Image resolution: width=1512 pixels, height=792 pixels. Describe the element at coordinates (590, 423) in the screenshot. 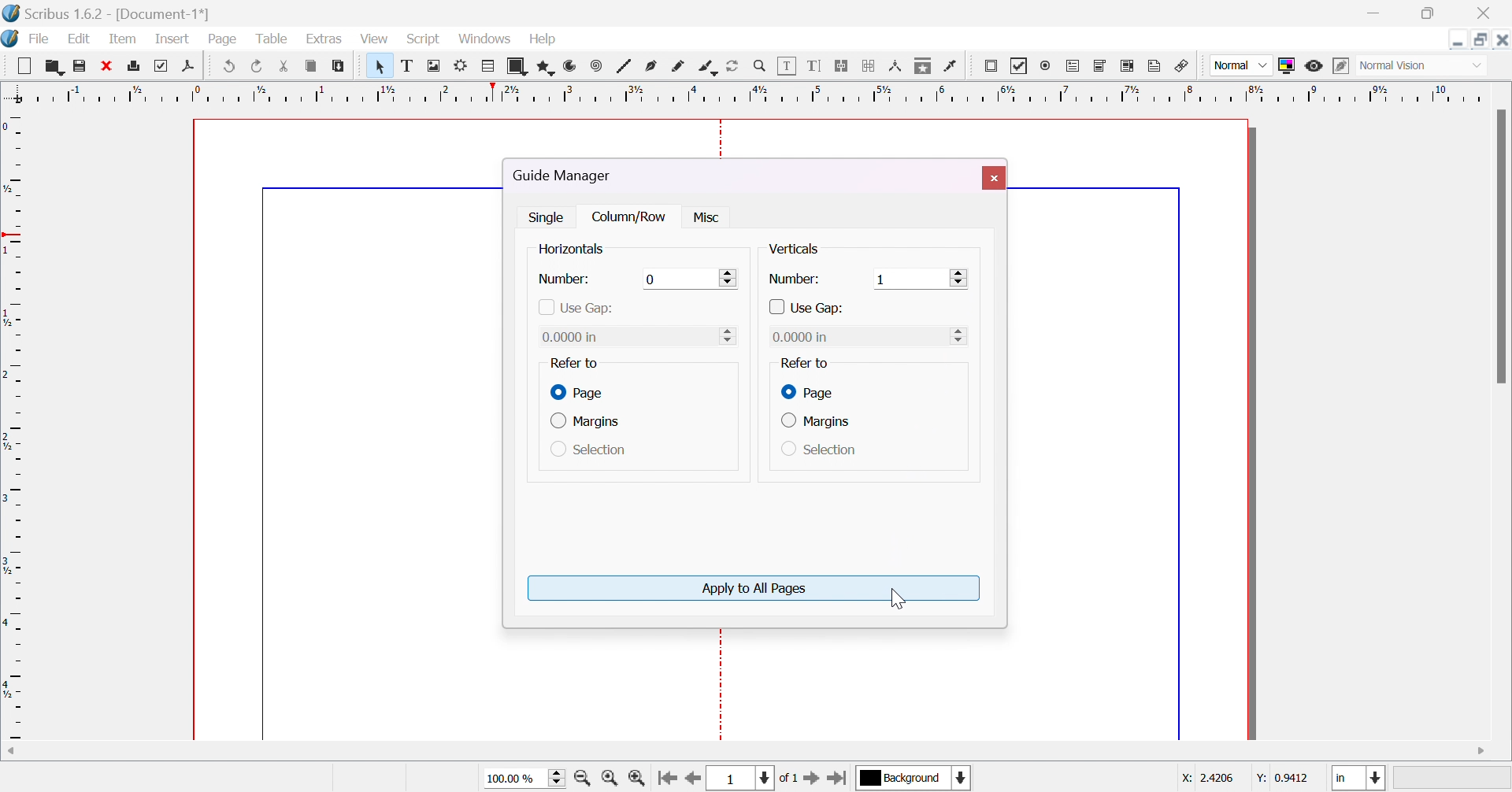

I see `margins` at that location.